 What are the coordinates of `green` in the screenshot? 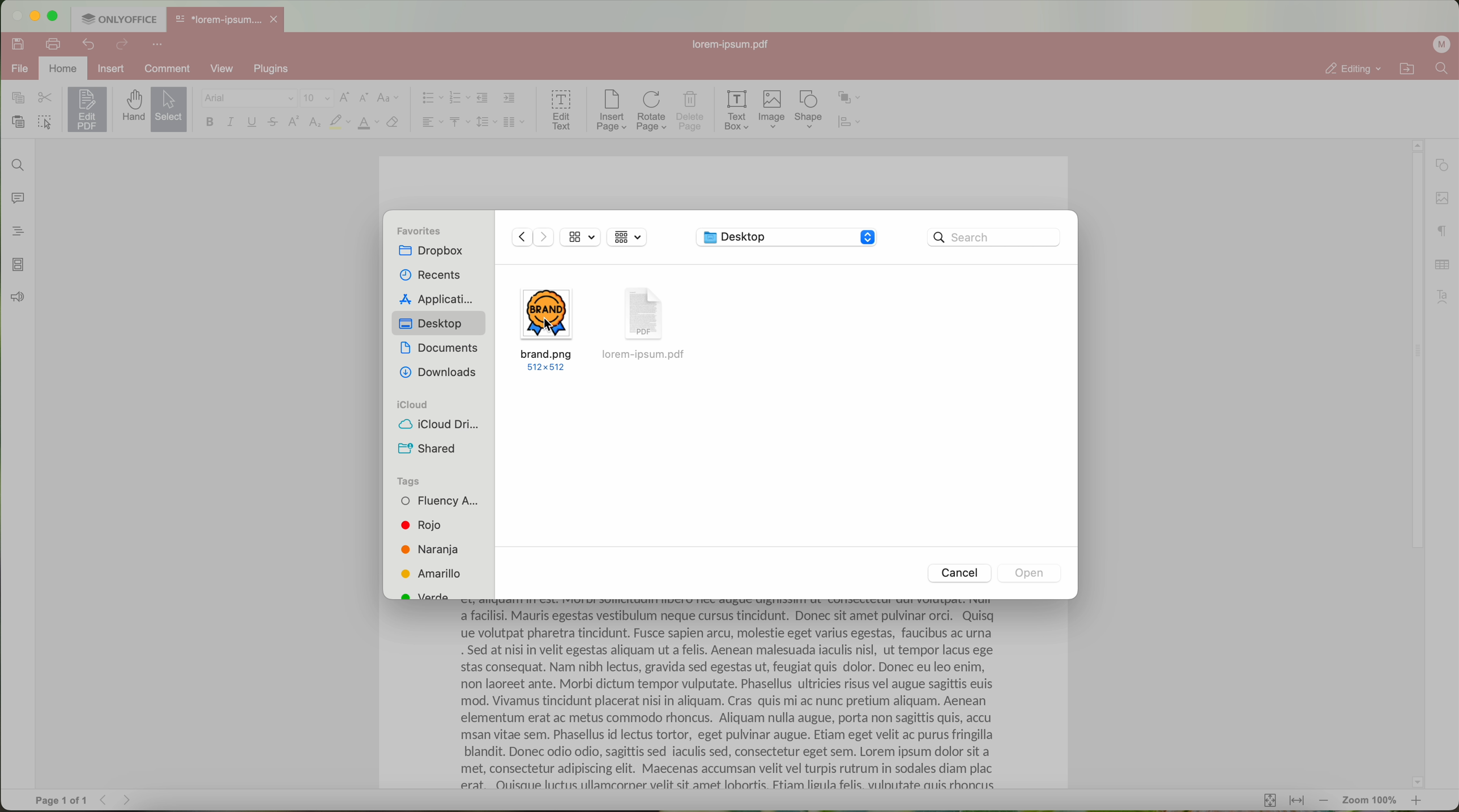 It's located at (426, 593).